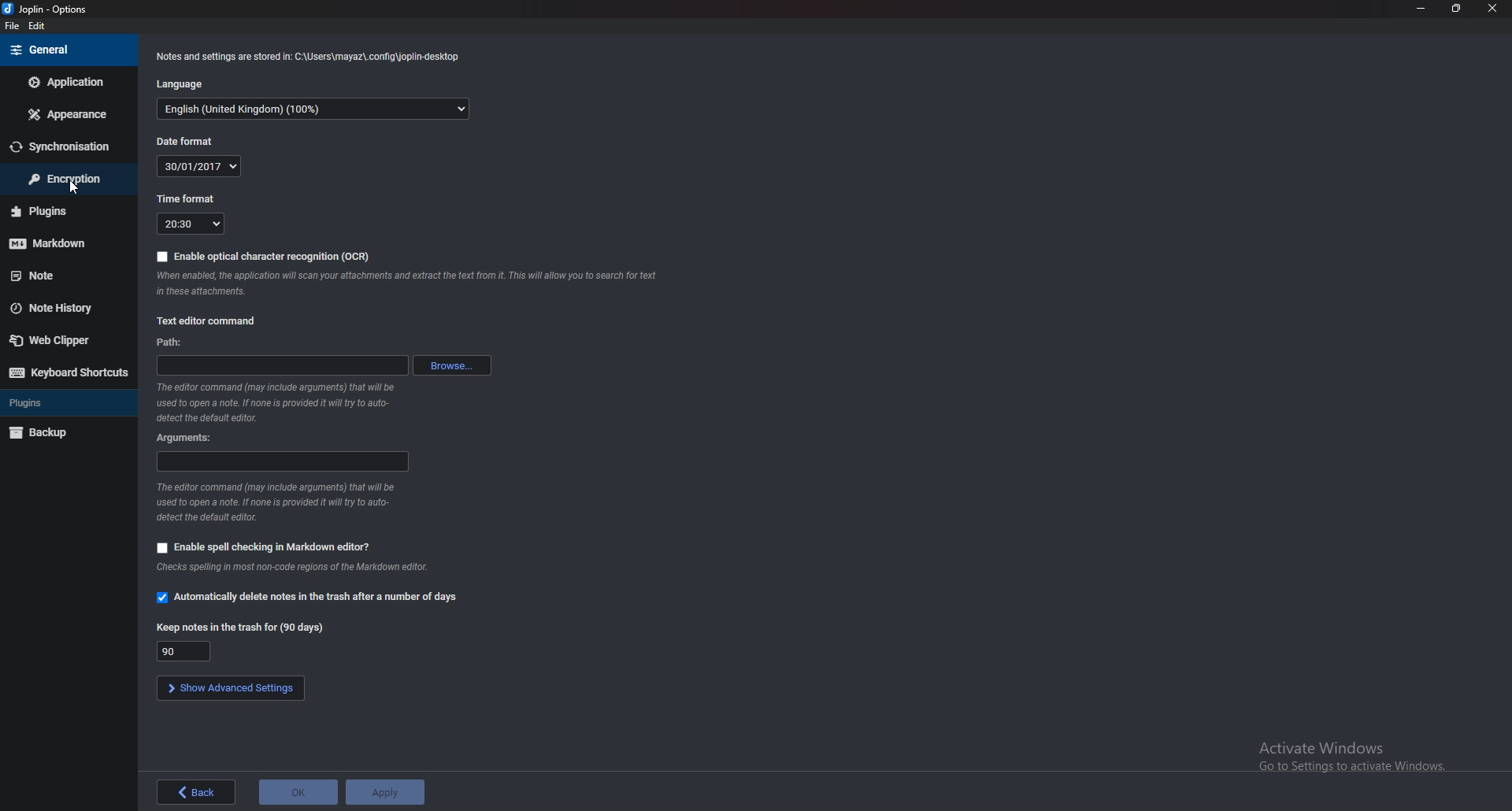 The image size is (1512, 811). What do you see at coordinates (64, 212) in the screenshot?
I see `plugins` at bounding box center [64, 212].